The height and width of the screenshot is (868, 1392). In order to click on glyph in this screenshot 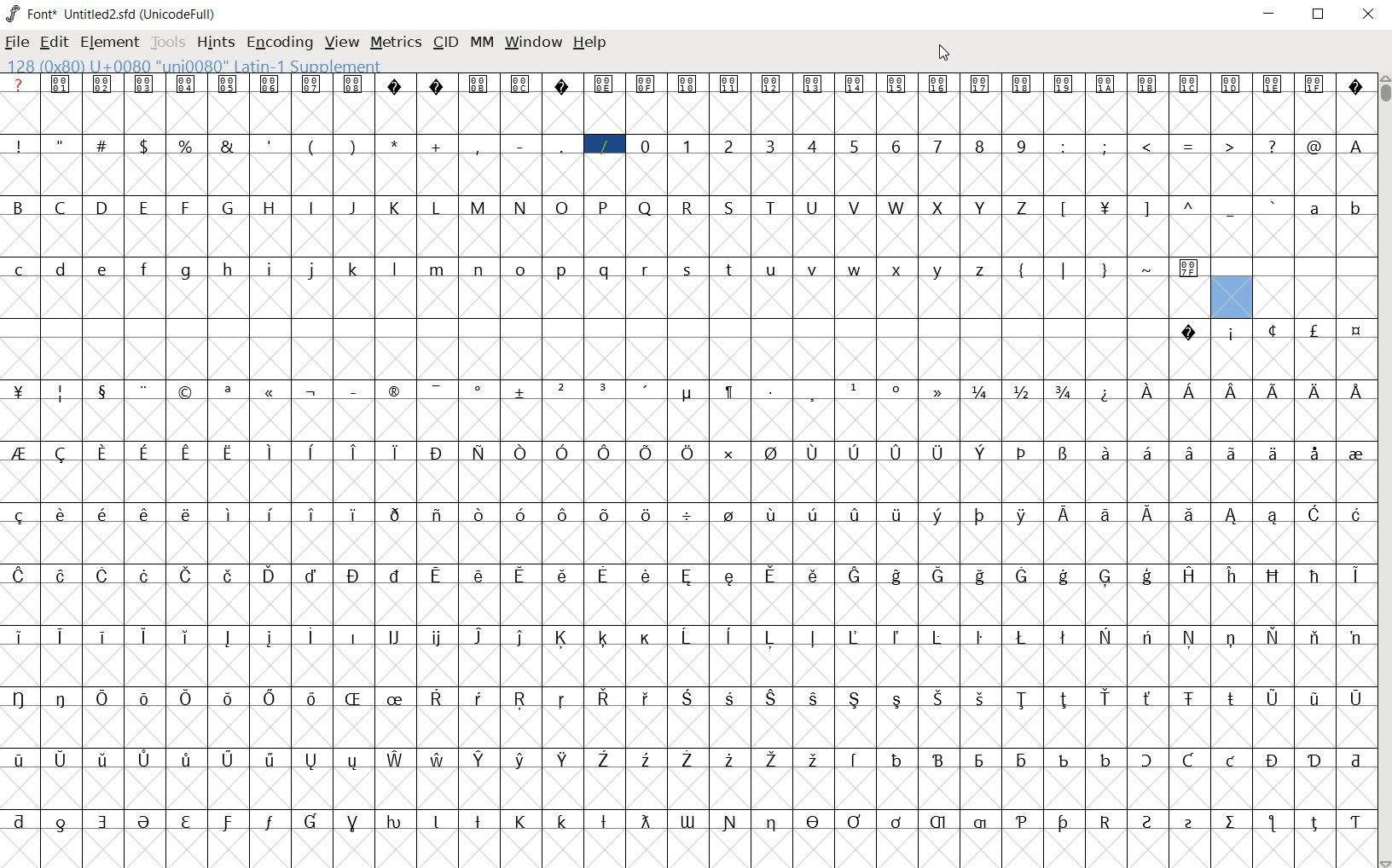, I will do `click(687, 637)`.